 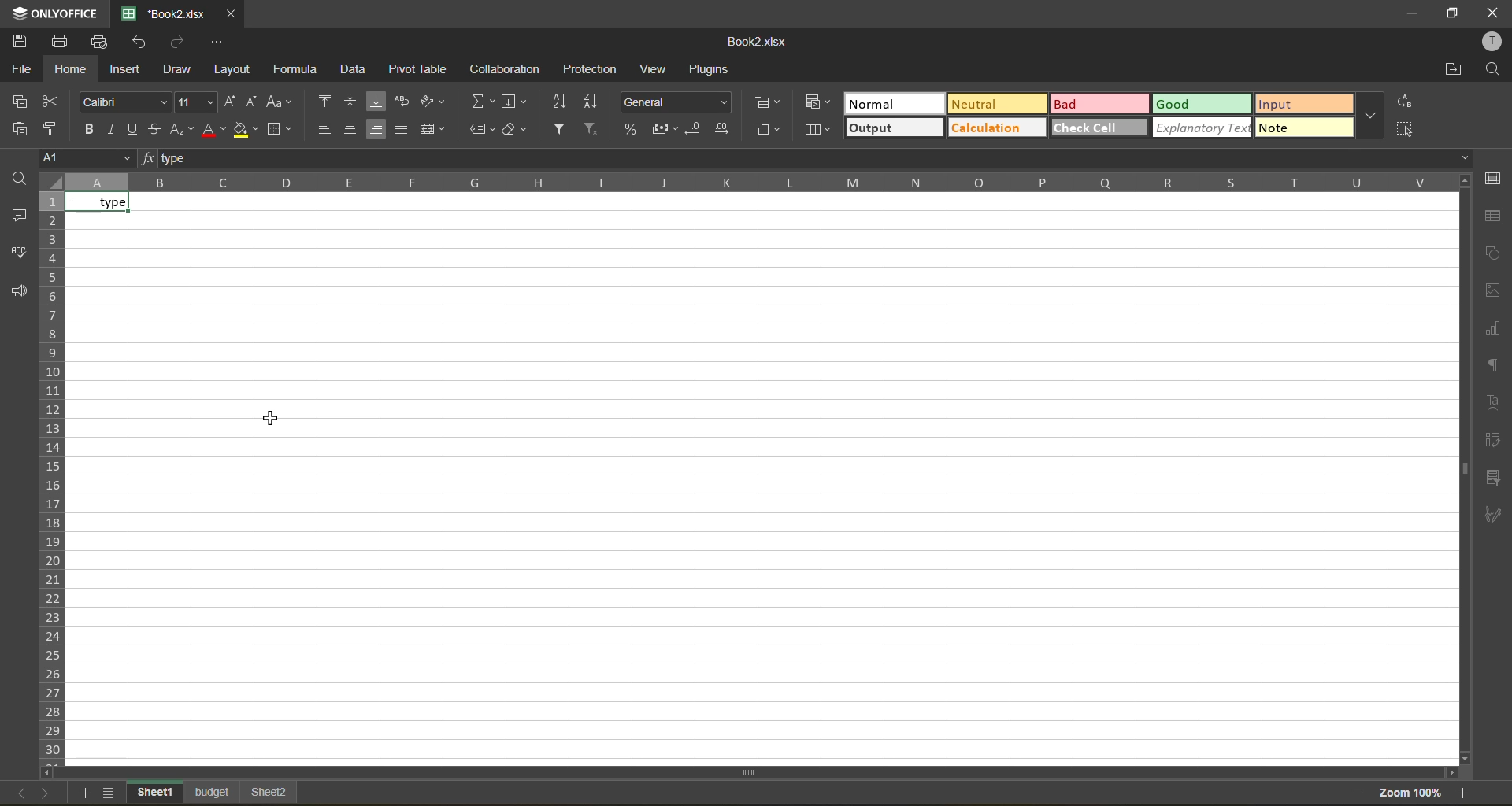 I want to click on decrease decimal, so click(x=699, y=125).